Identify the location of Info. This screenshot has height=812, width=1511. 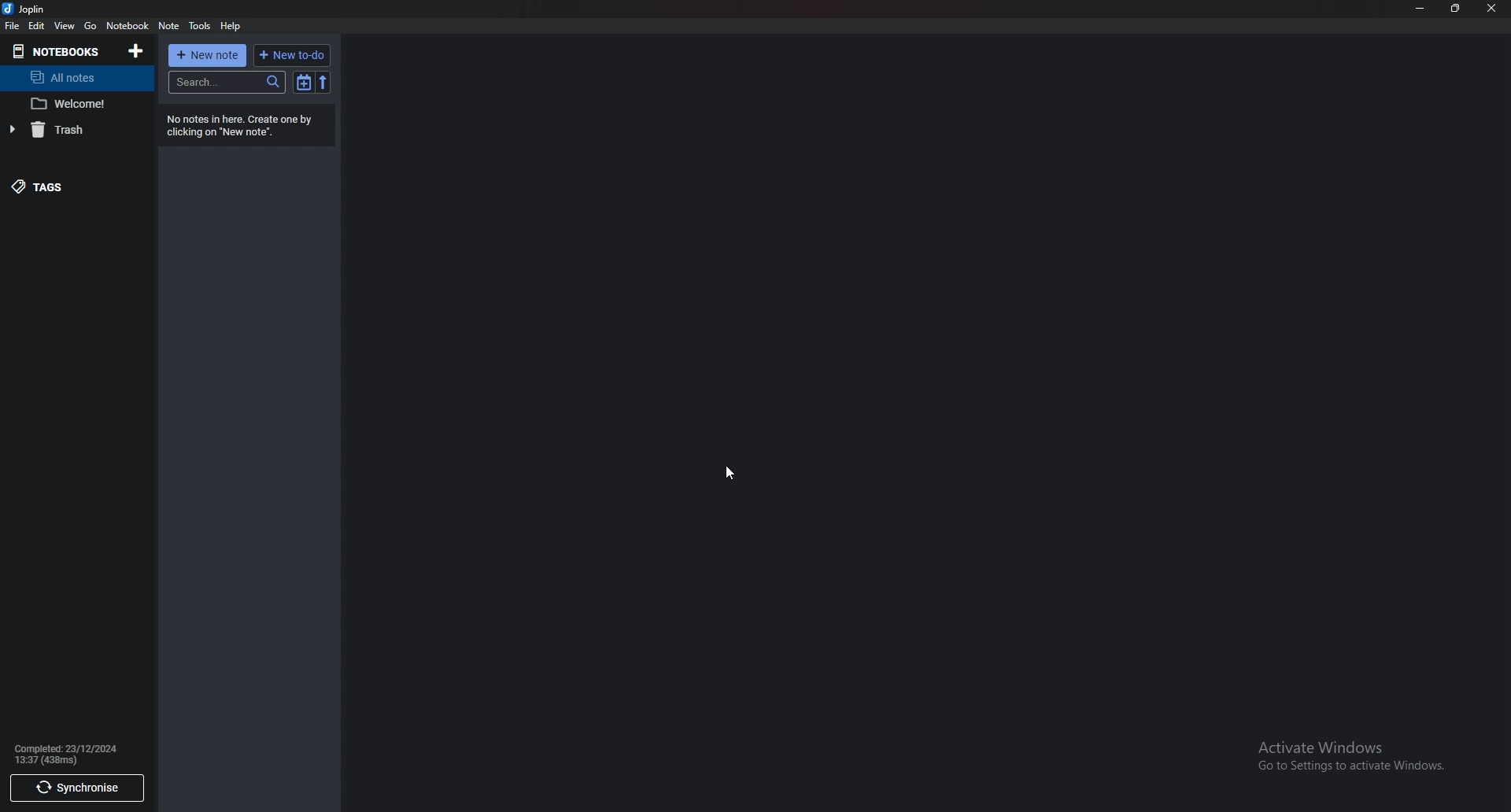
(68, 753).